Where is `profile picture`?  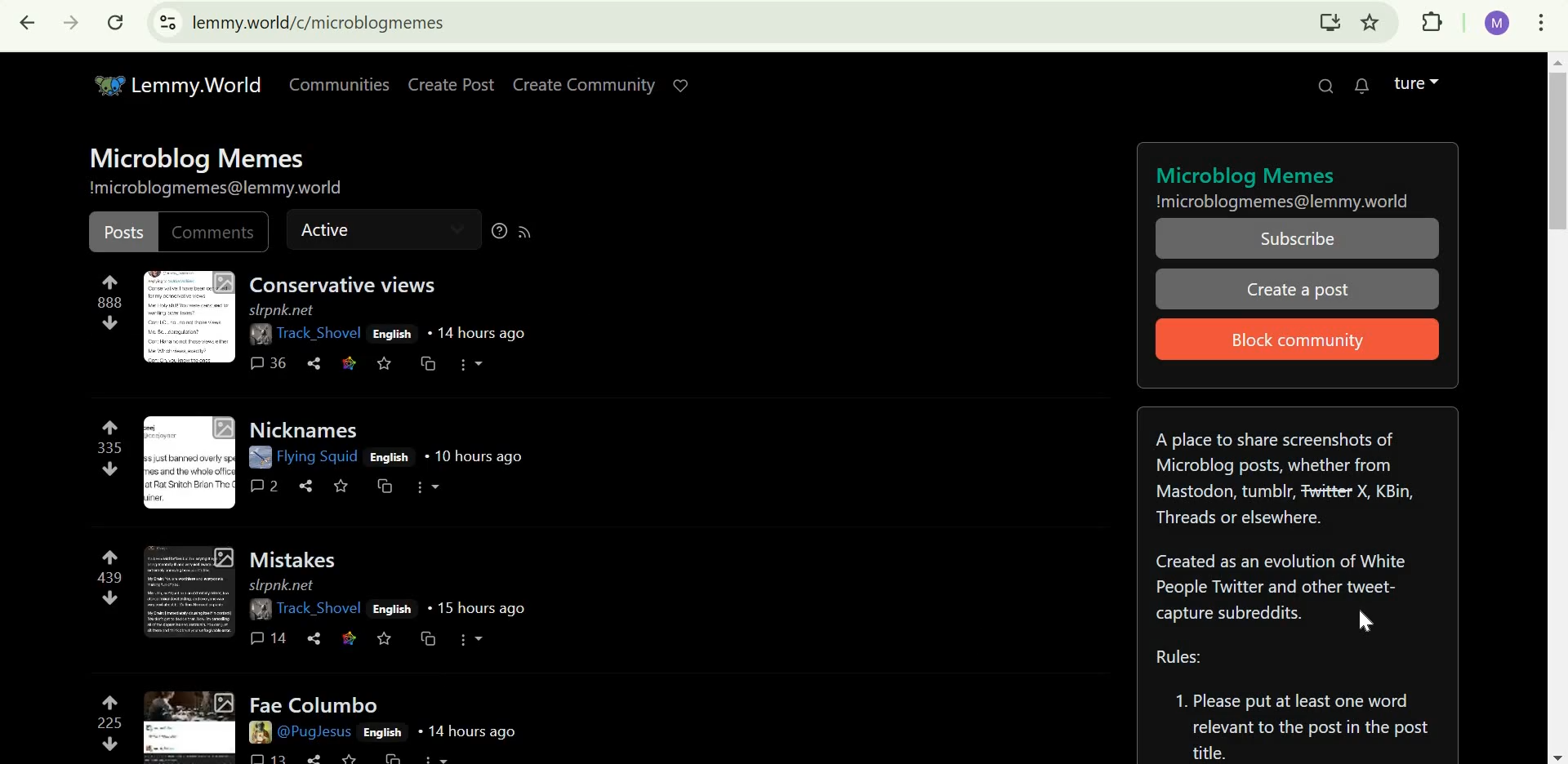
profile picture is located at coordinates (258, 455).